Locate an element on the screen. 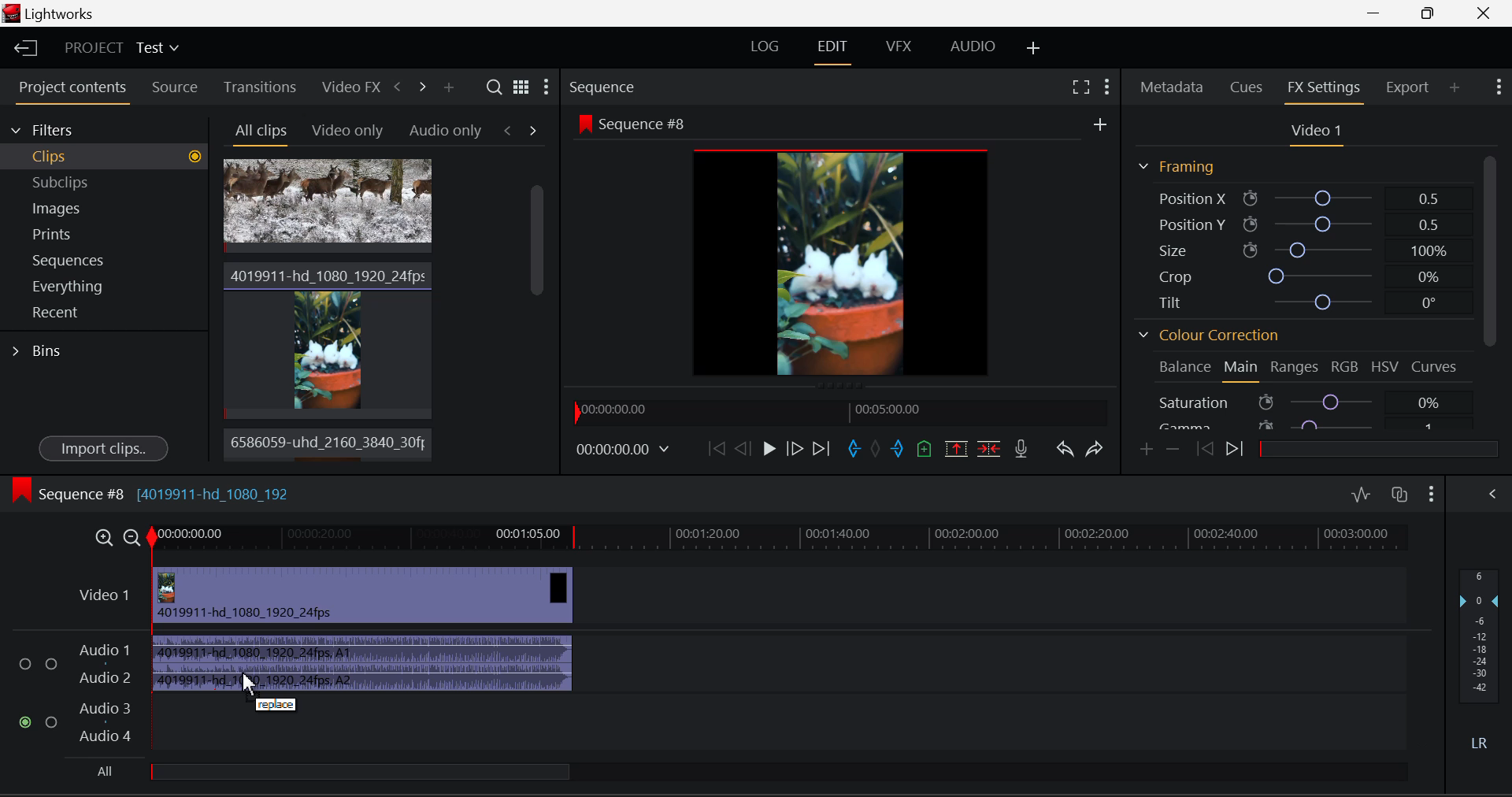 The image size is (1512, 797). Video Layer is located at coordinates (106, 600).